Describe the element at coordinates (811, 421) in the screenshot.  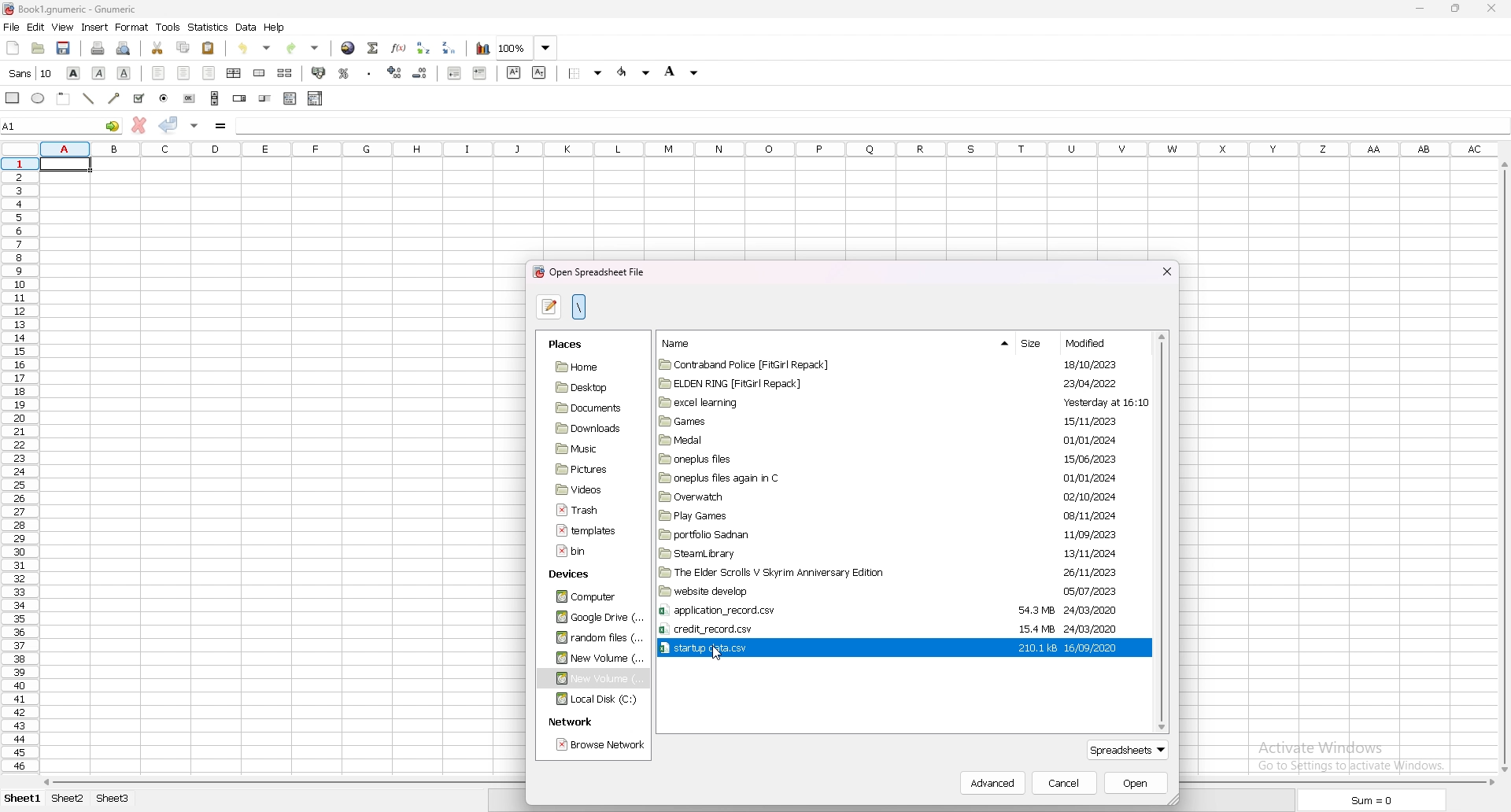
I see `folder` at that location.